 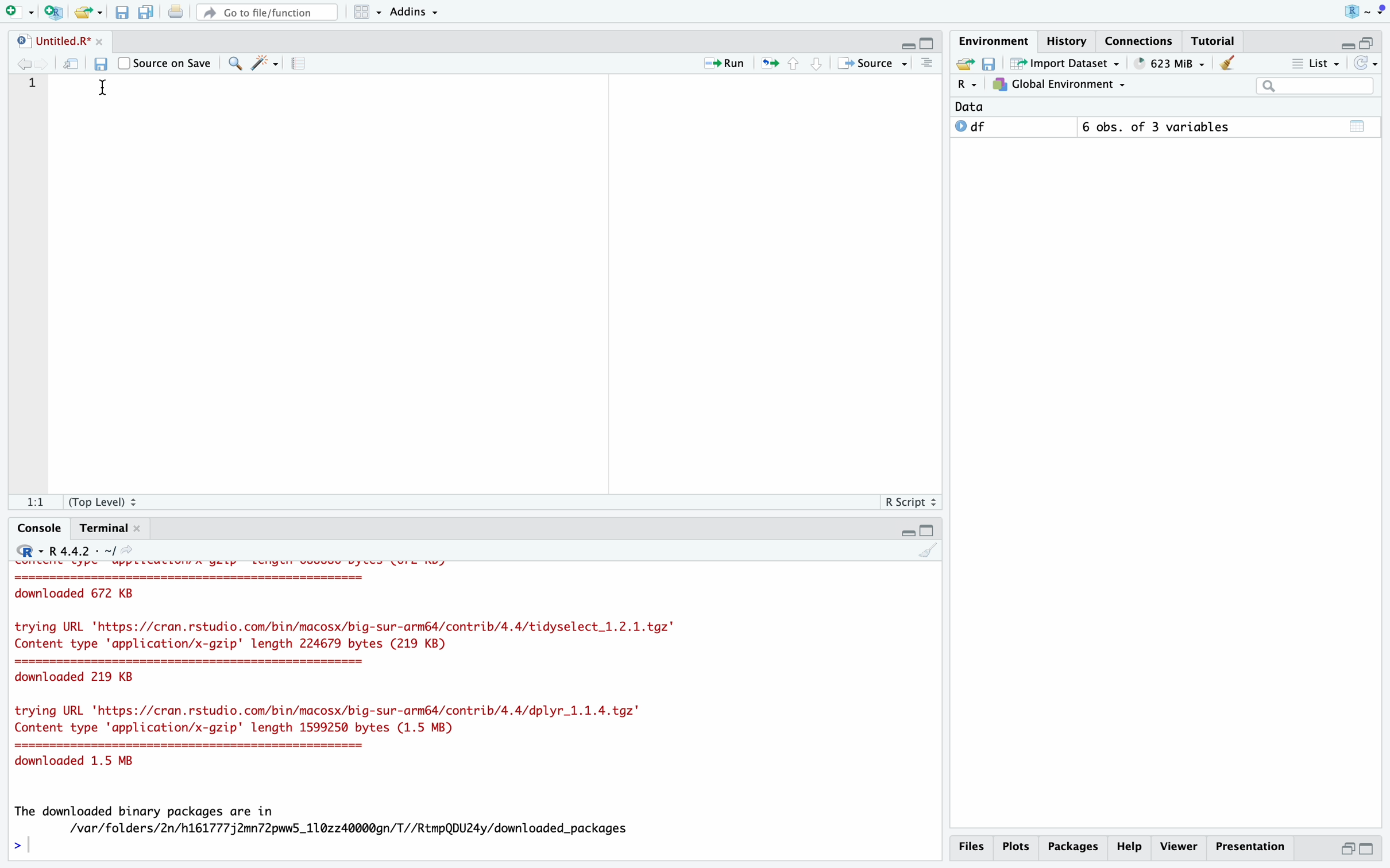 I want to click on Line Numbers, so click(x=29, y=95).